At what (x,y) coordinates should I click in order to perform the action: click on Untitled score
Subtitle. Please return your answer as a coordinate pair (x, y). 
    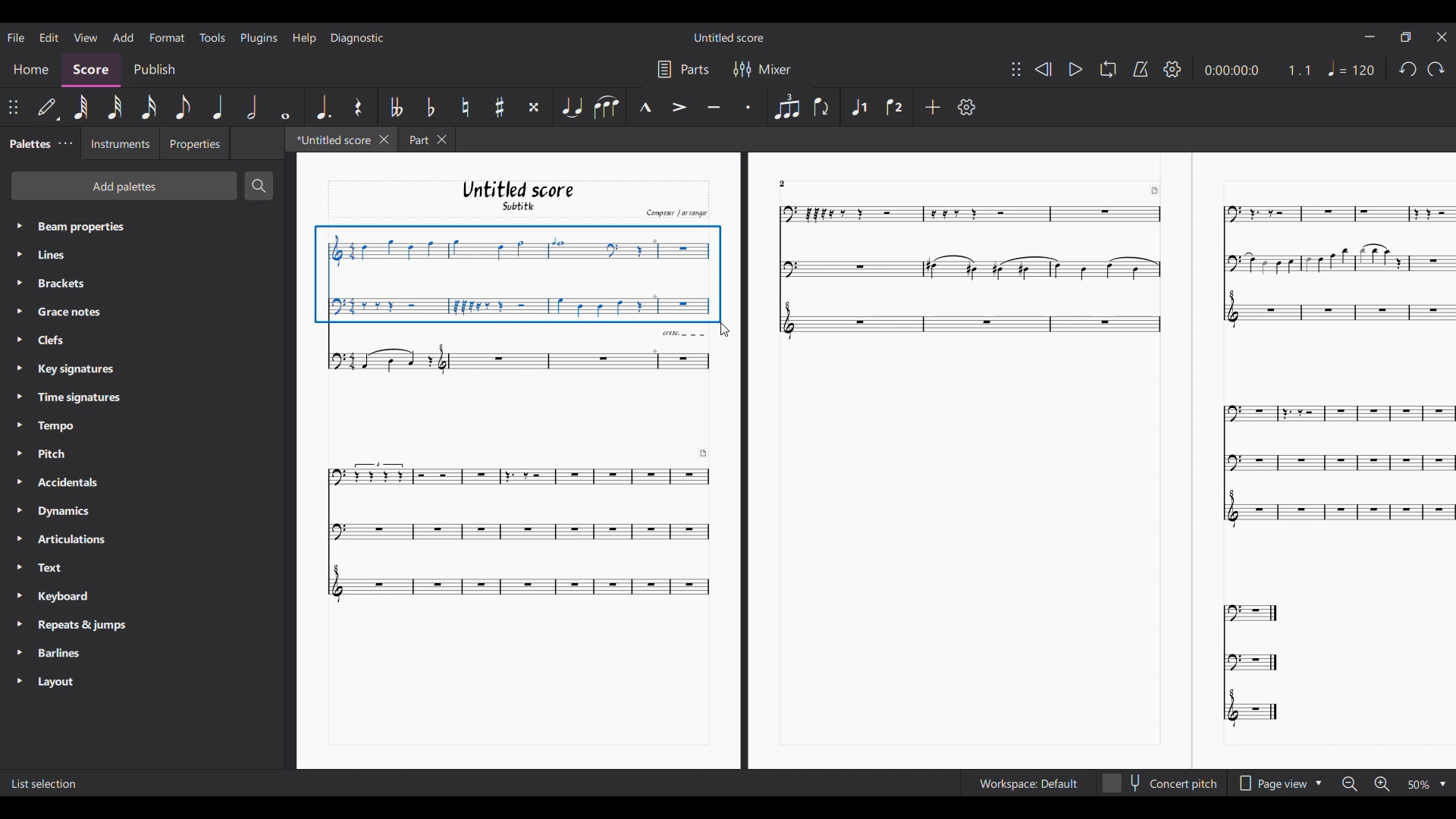
    Looking at the image, I should click on (516, 196).